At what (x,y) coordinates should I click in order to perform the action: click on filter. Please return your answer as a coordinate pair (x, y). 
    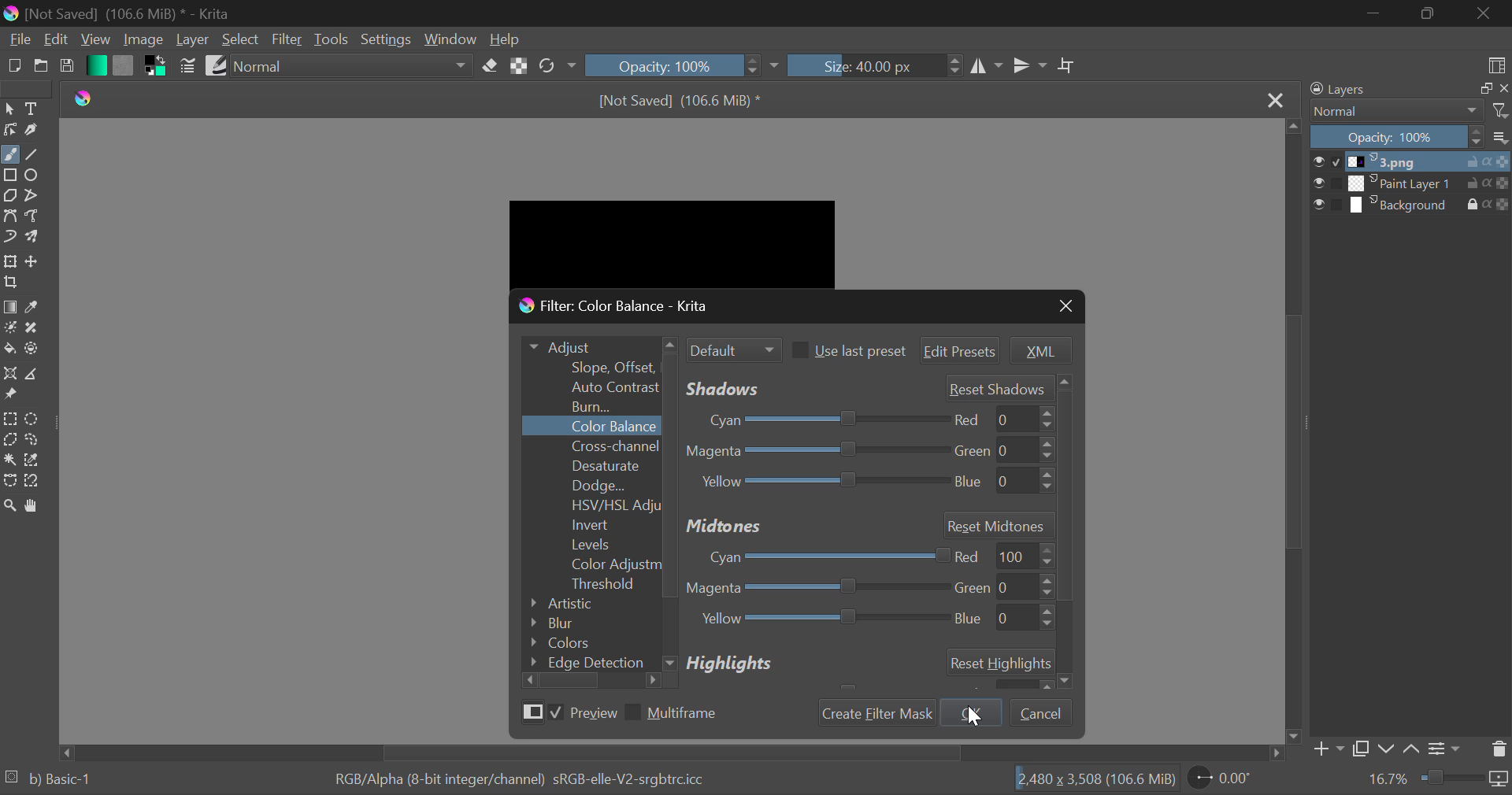
    Looking at the image, I should click on (1498, 109).